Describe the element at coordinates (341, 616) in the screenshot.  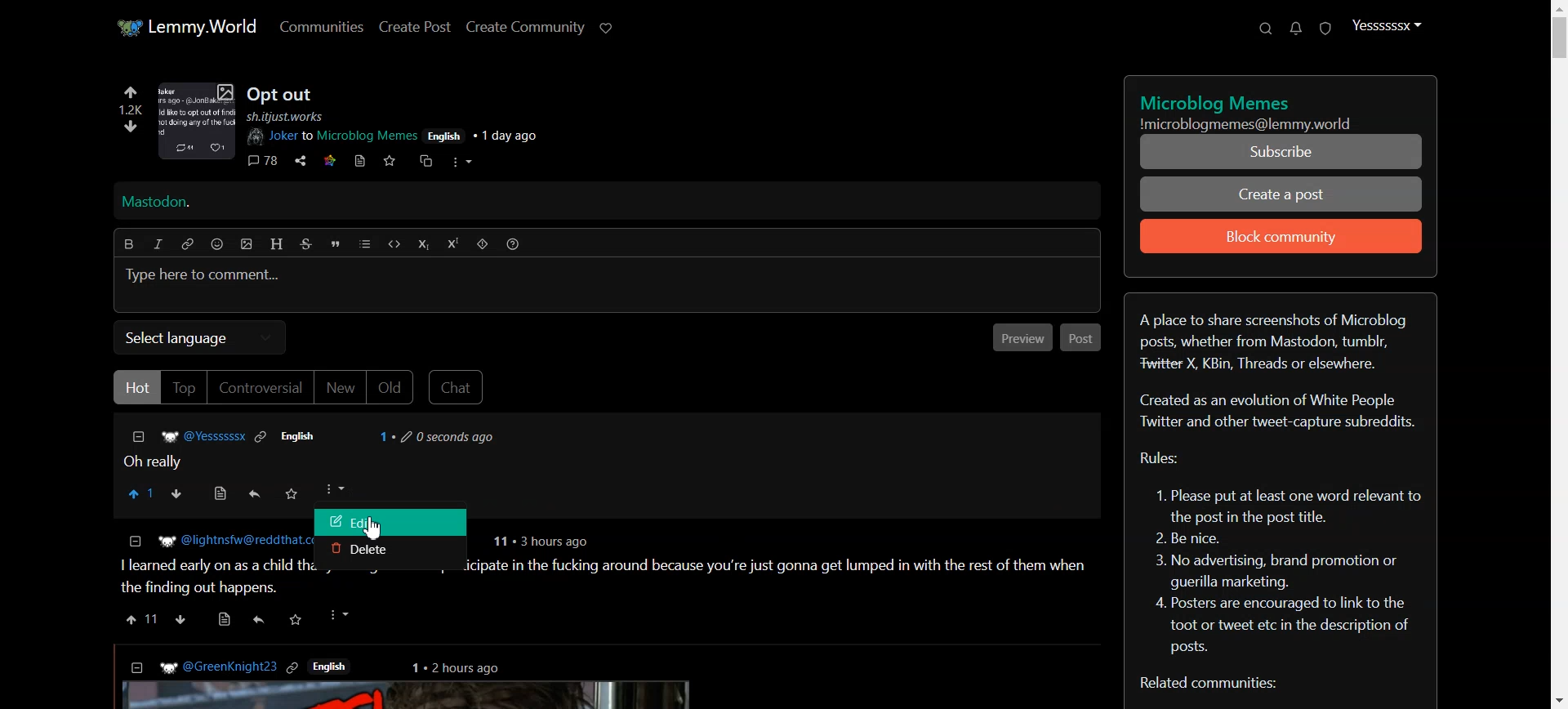
I see `more` at that location.